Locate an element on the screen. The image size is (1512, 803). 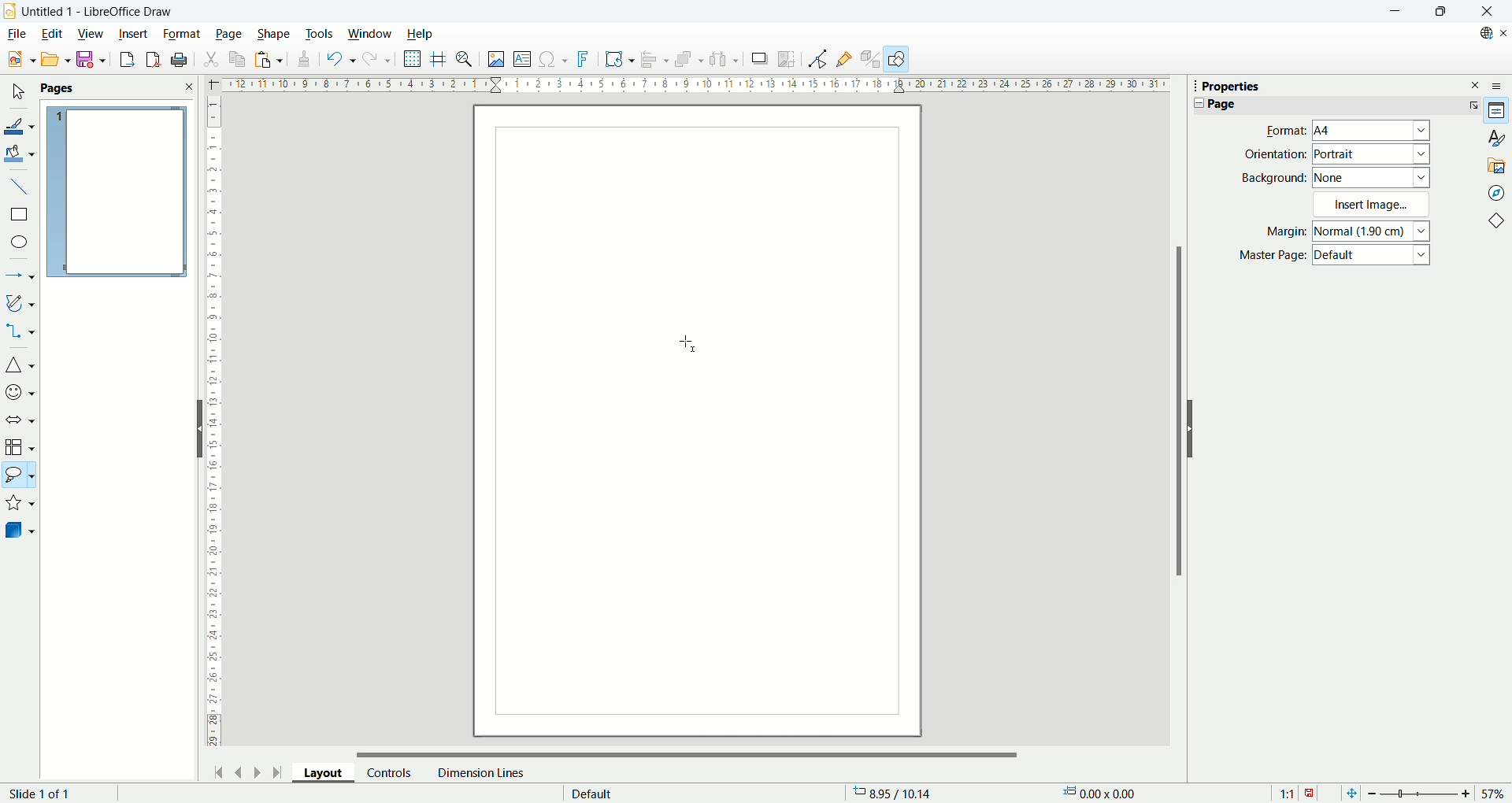
point edit mode is located at coordinates (817, 59).